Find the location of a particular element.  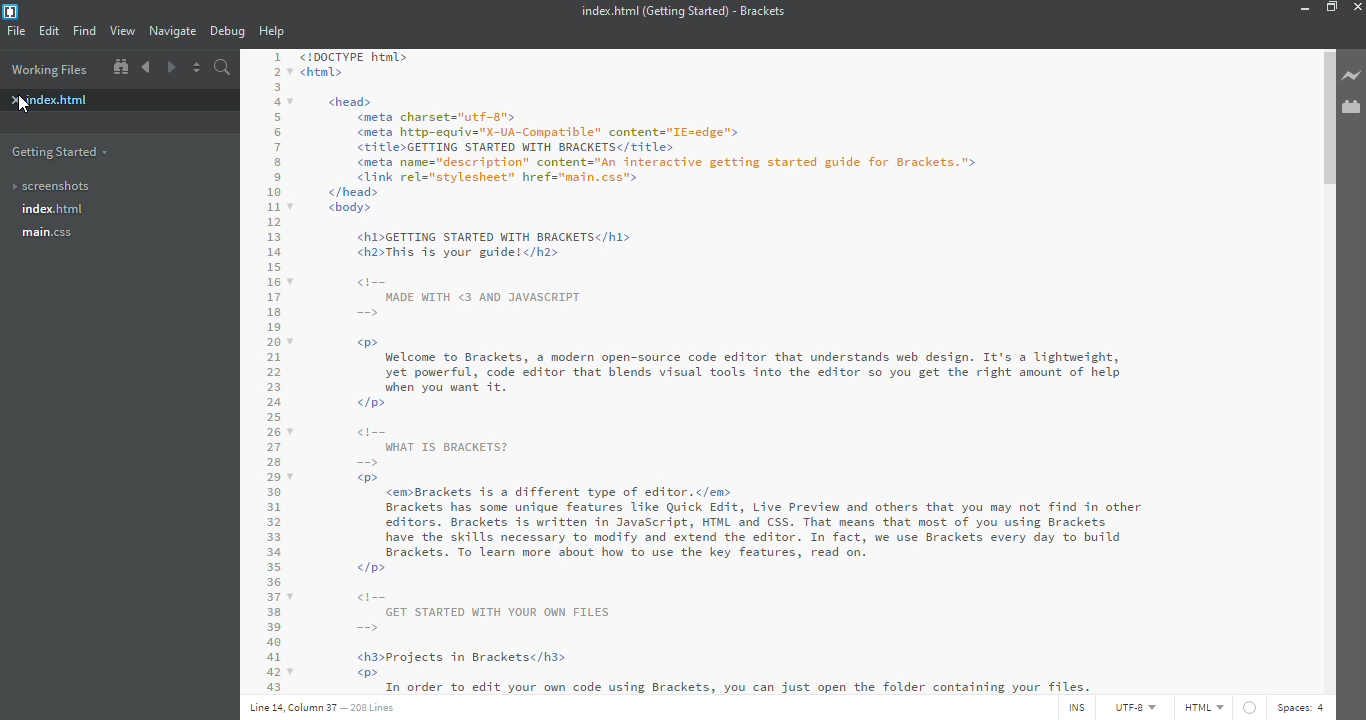

index.html is located at coordinates (57, 212).